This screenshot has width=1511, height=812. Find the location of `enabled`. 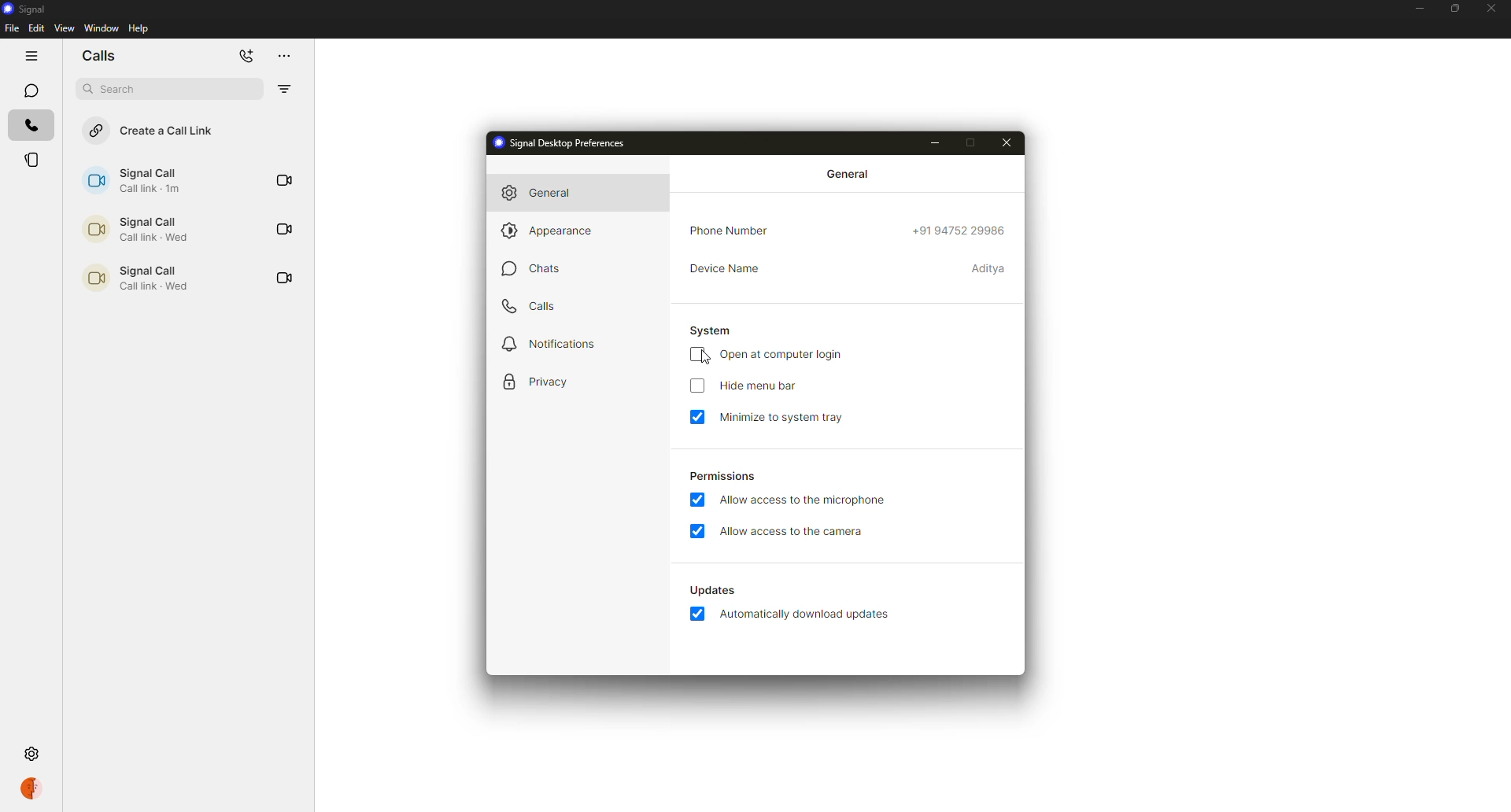

enabled is located at coordinates (700, 499).